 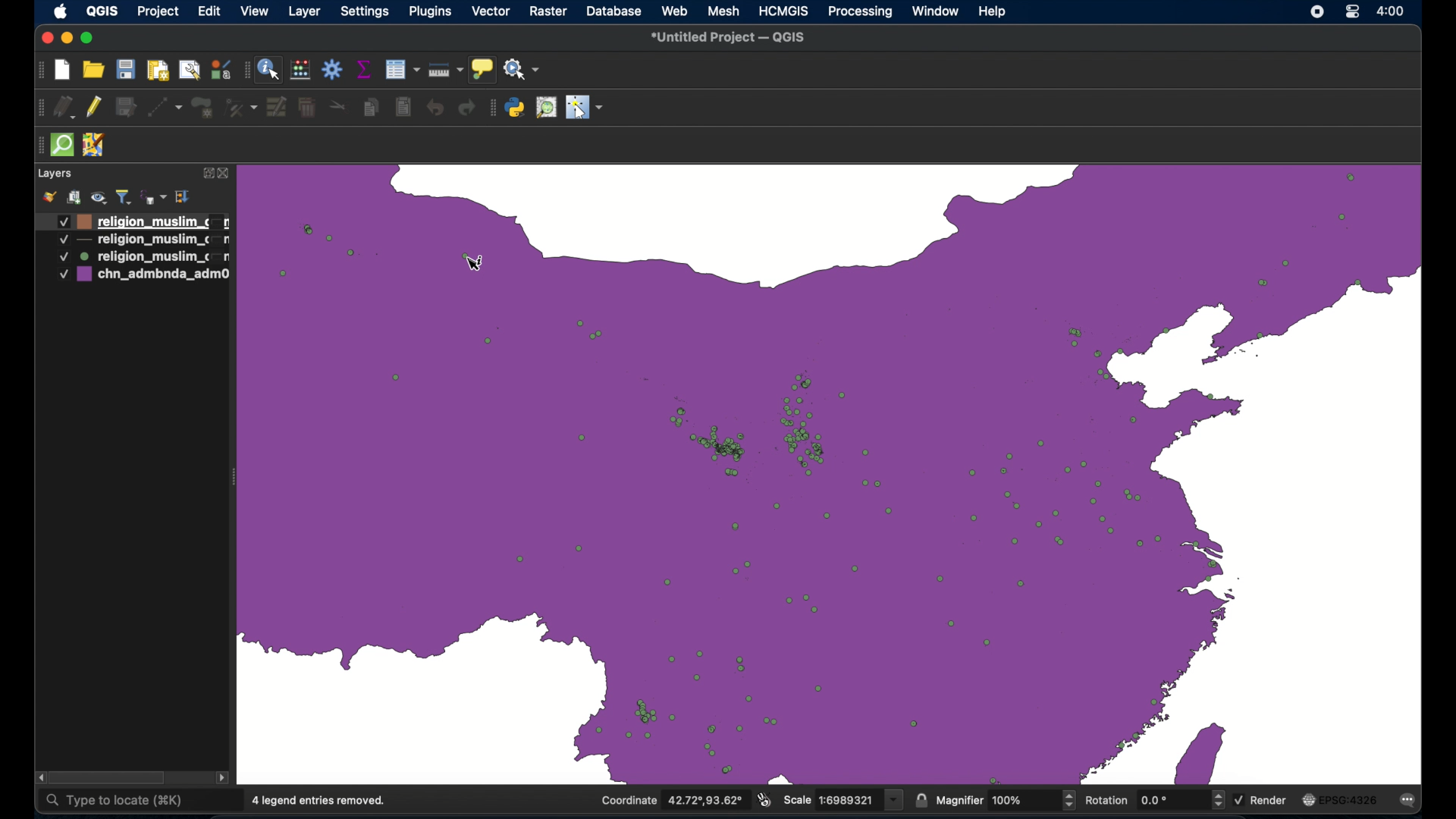 I want to click on layer, so click(x=305, y=12).